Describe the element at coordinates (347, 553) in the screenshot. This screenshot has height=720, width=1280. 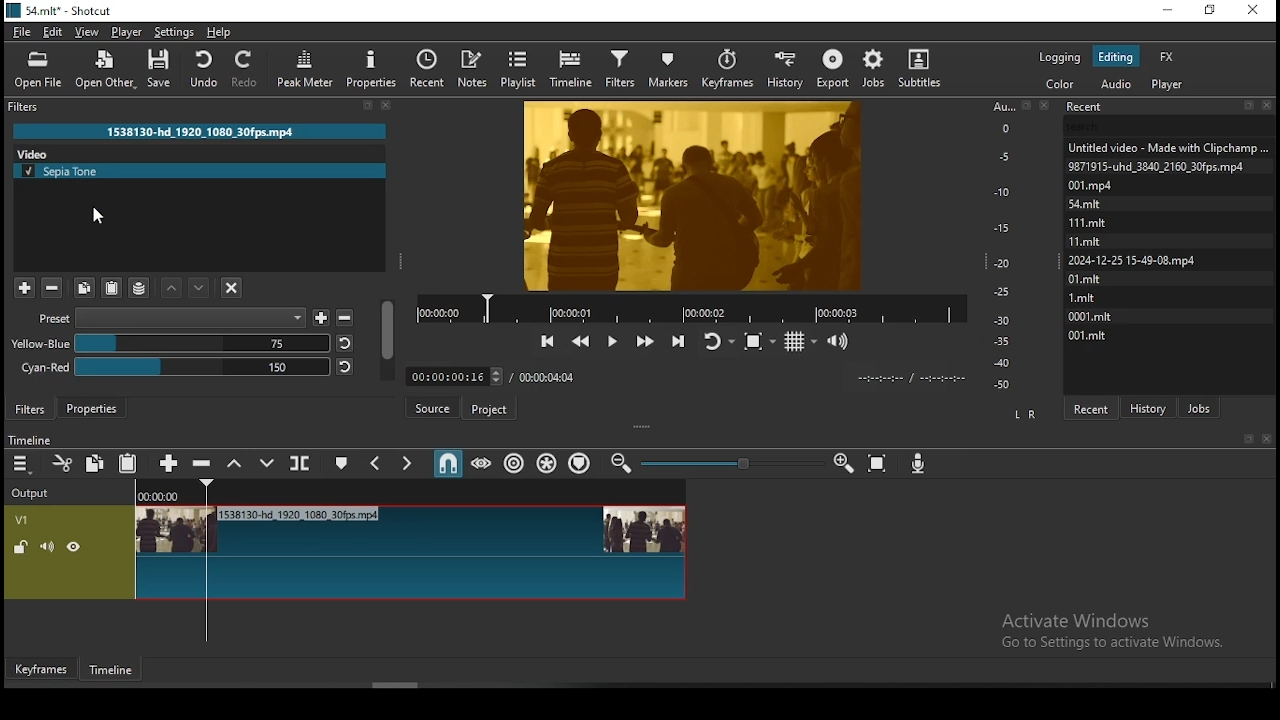
I see `video track` at that location.